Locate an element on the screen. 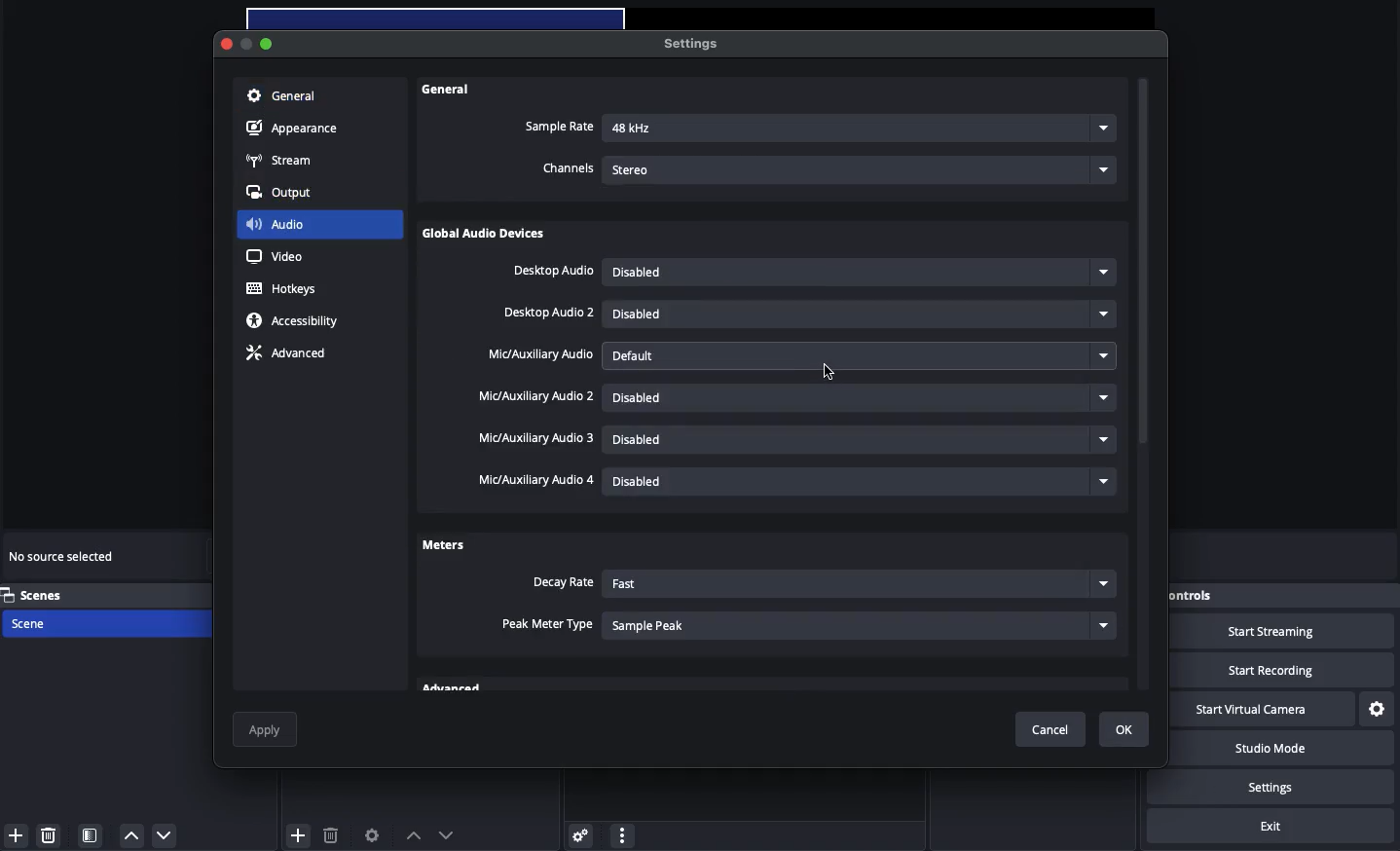 The image size is (1400, 851). Disabled is located at coordinates (858, 396).